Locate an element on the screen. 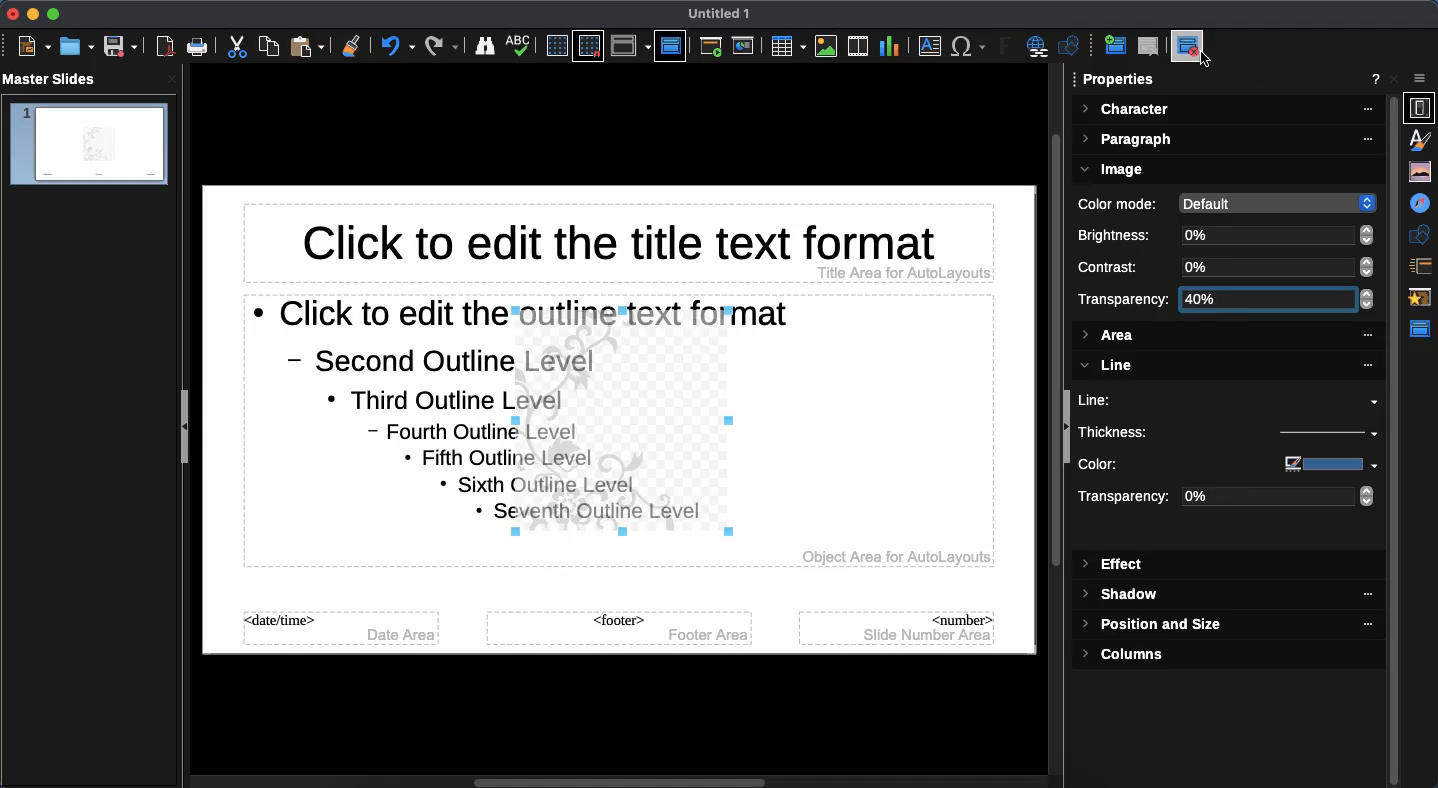 The height and width of the screenshot is (788, 1438). Color is located at coordinates (1157, 465).